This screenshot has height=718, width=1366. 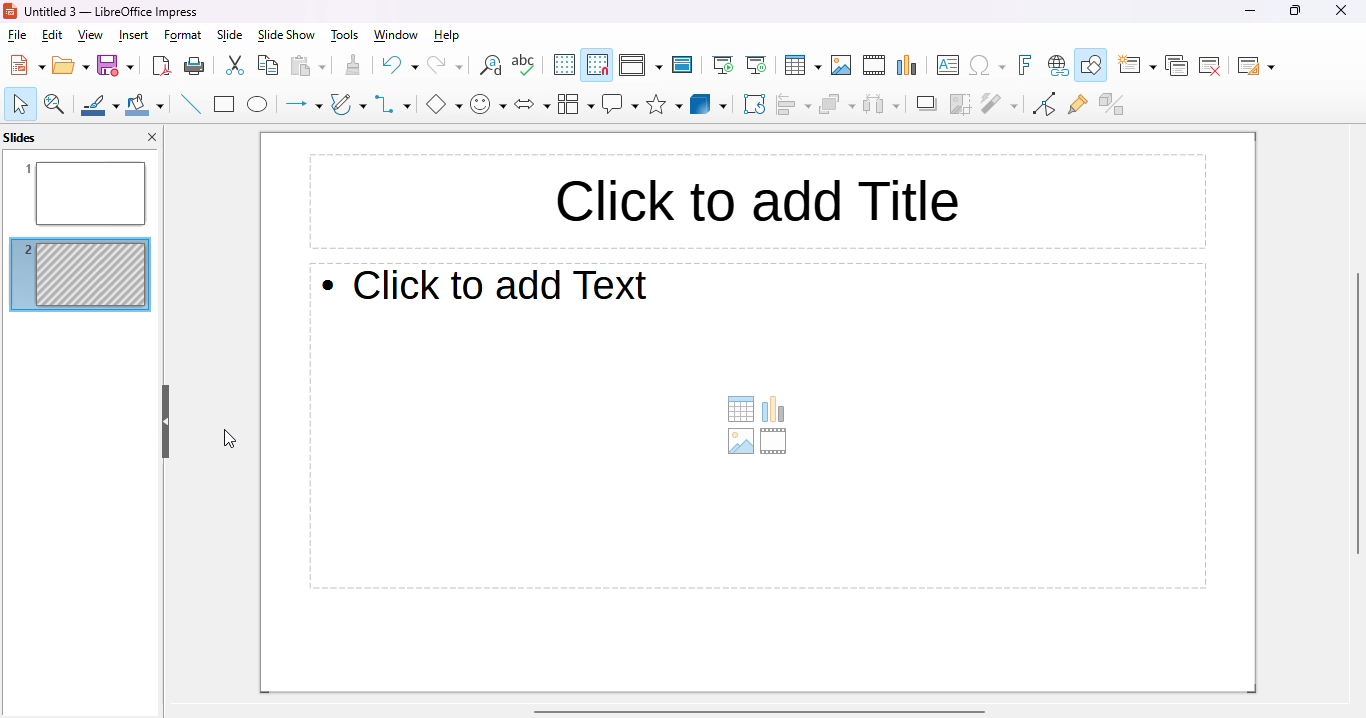 What do you see at coordinates (196, 67) in the screenshot?
I see `print` at bounding box center [196, 67].